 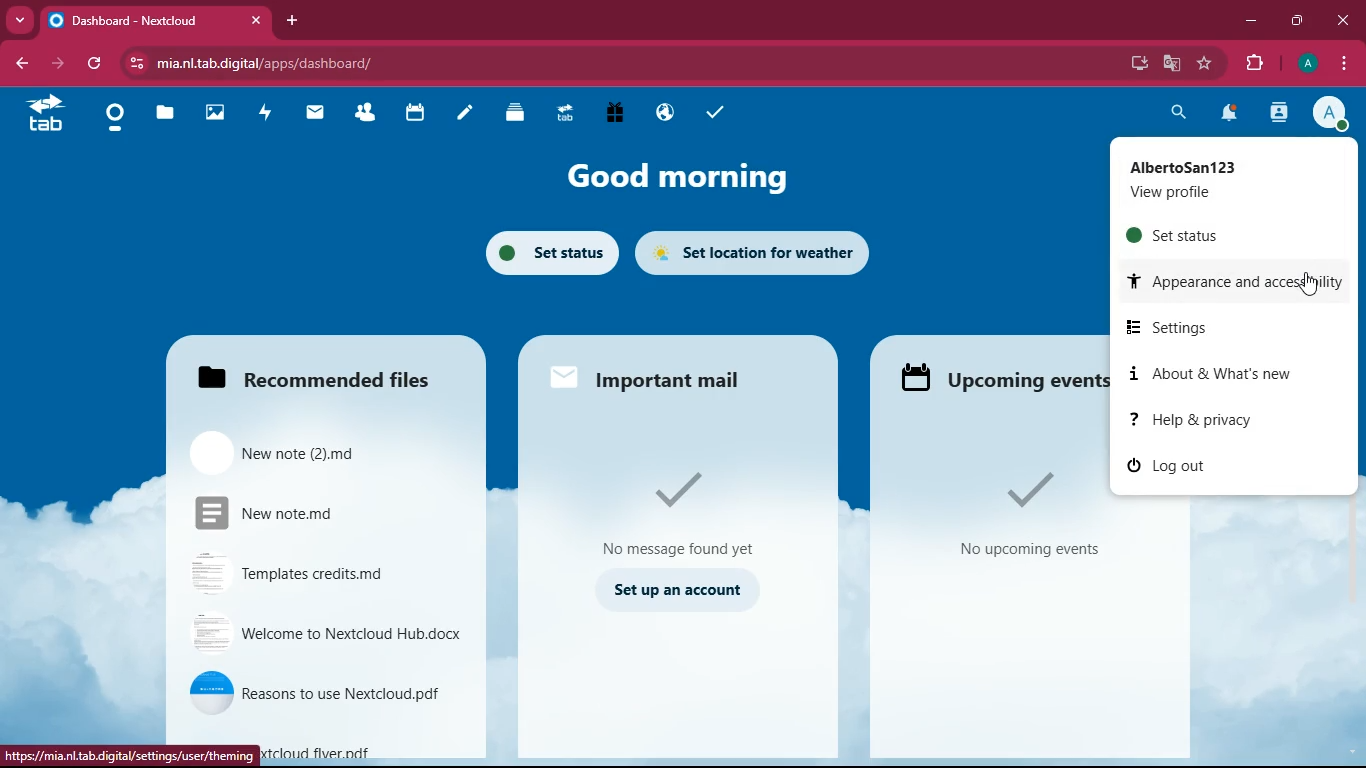 I want to click on profile, so click(x=1331, y=115).